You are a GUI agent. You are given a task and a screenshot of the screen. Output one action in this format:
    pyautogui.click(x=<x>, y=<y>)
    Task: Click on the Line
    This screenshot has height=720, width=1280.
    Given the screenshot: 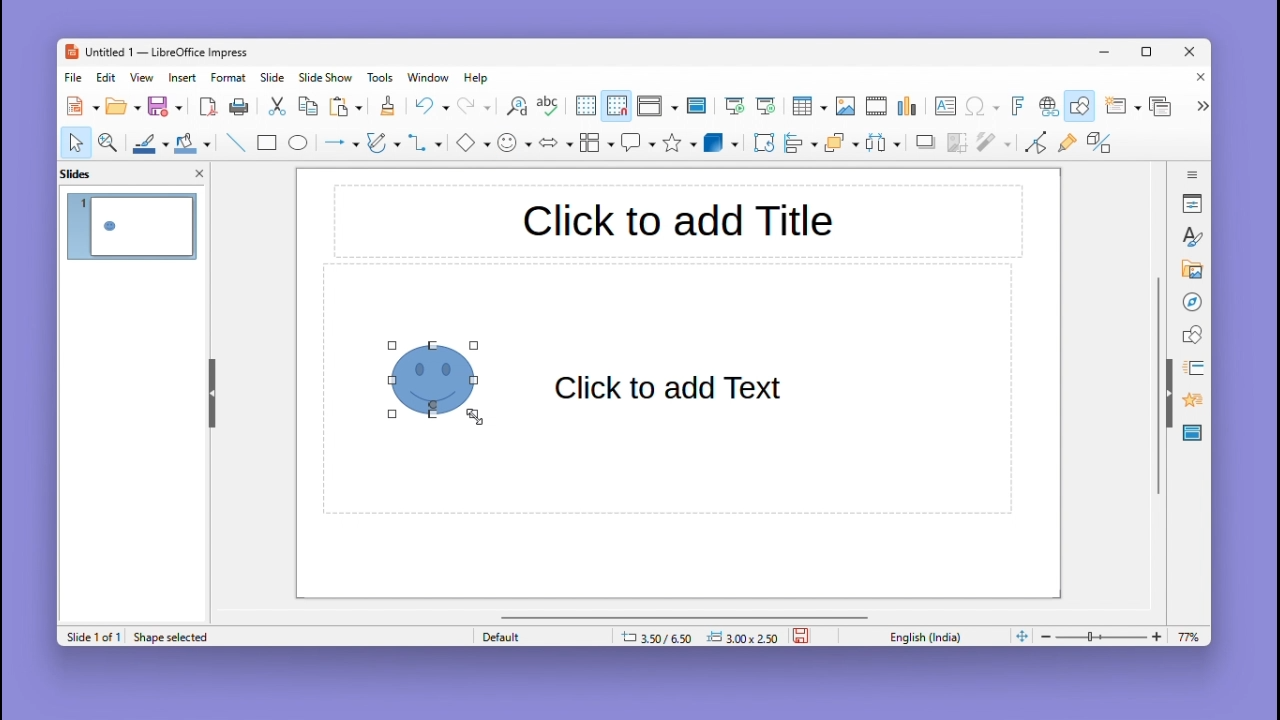 What is the action you would take?
    pyautogui.click(x=234, y=142)
    